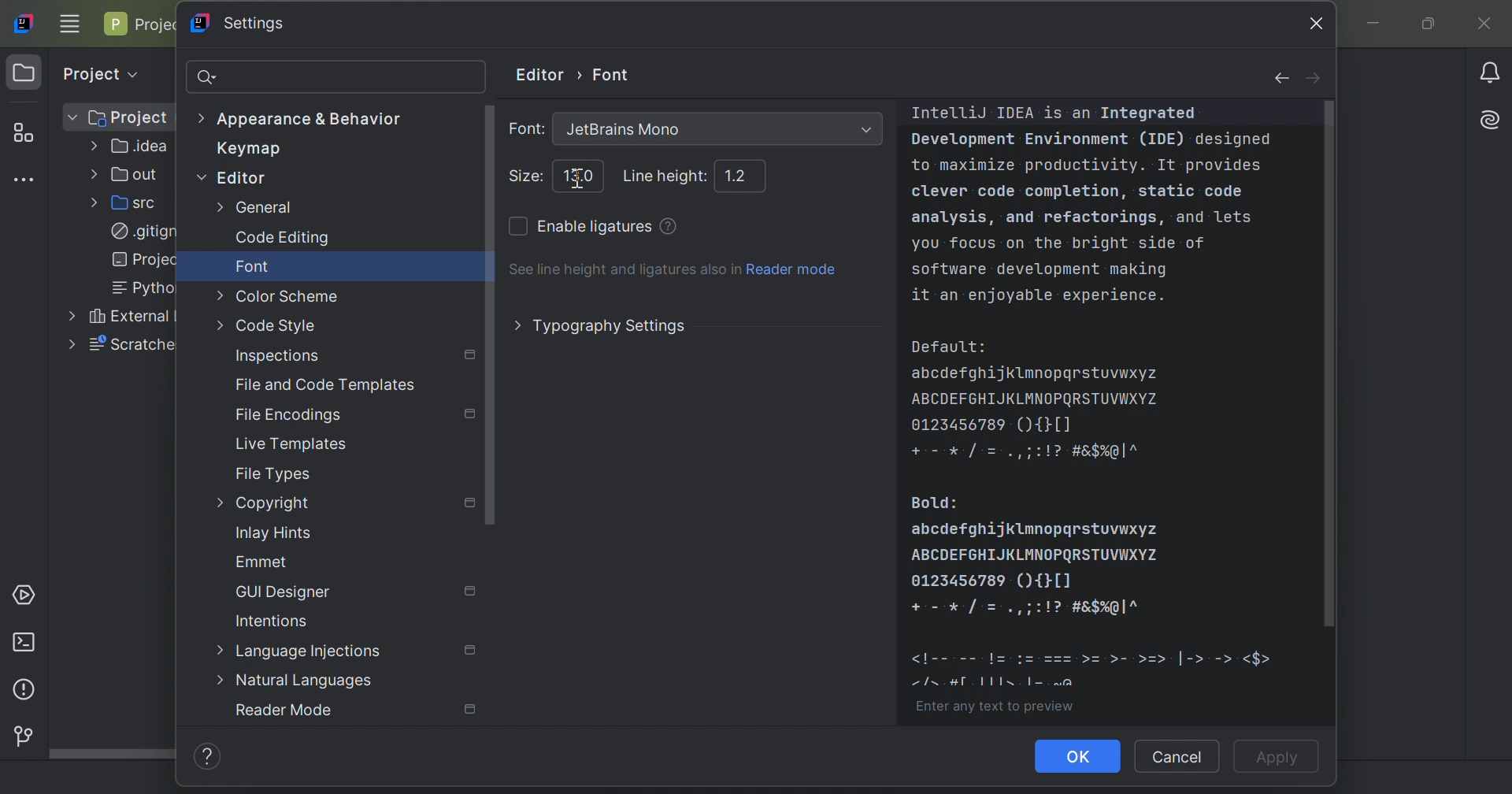 This screenshot has width=1512, height=794. What do you see at coordinates (1379, 25) in the screenshot?
I see `Minimize` at bounding box center [1379, 25].